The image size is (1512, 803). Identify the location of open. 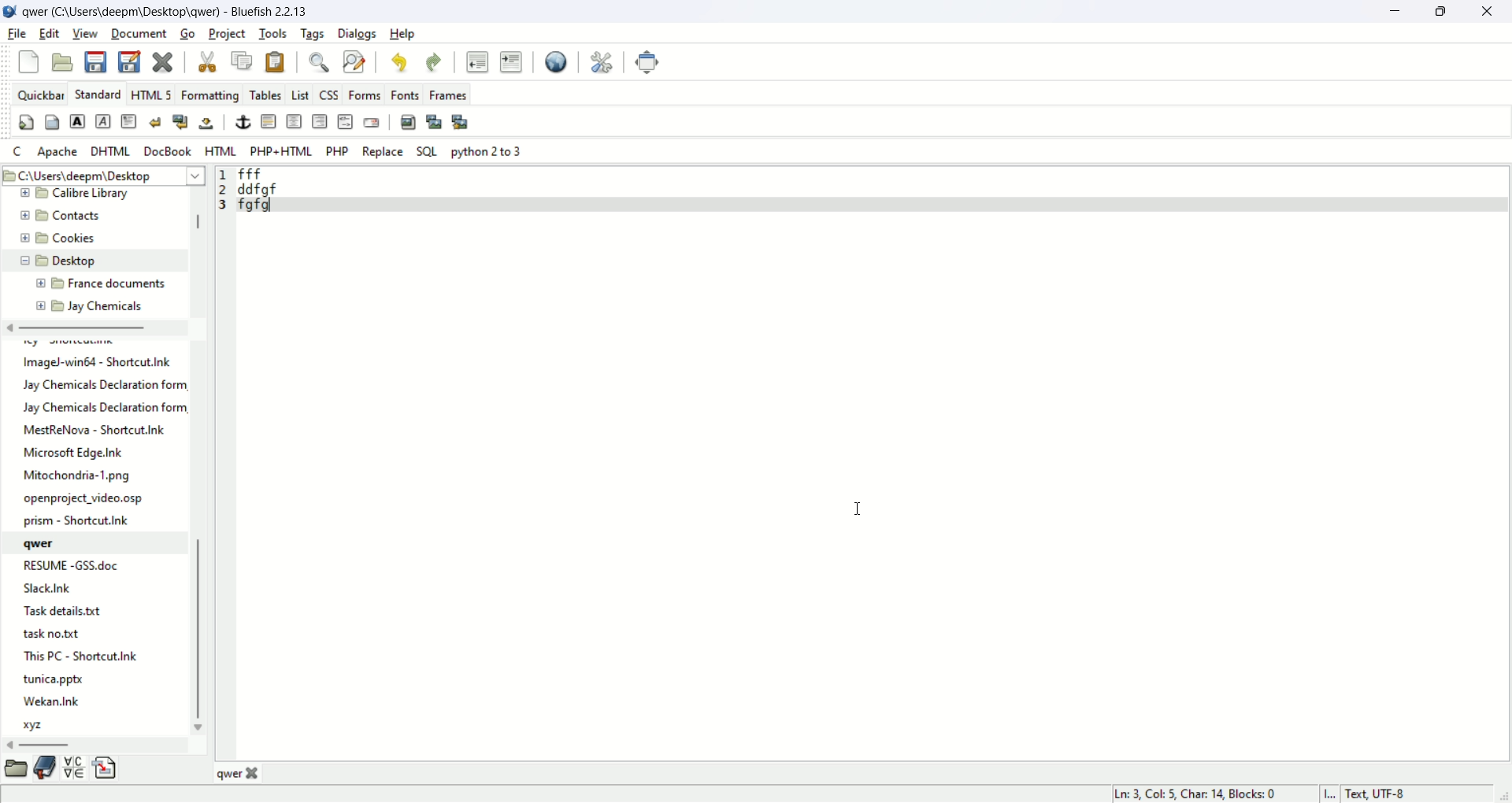
(65, 61).